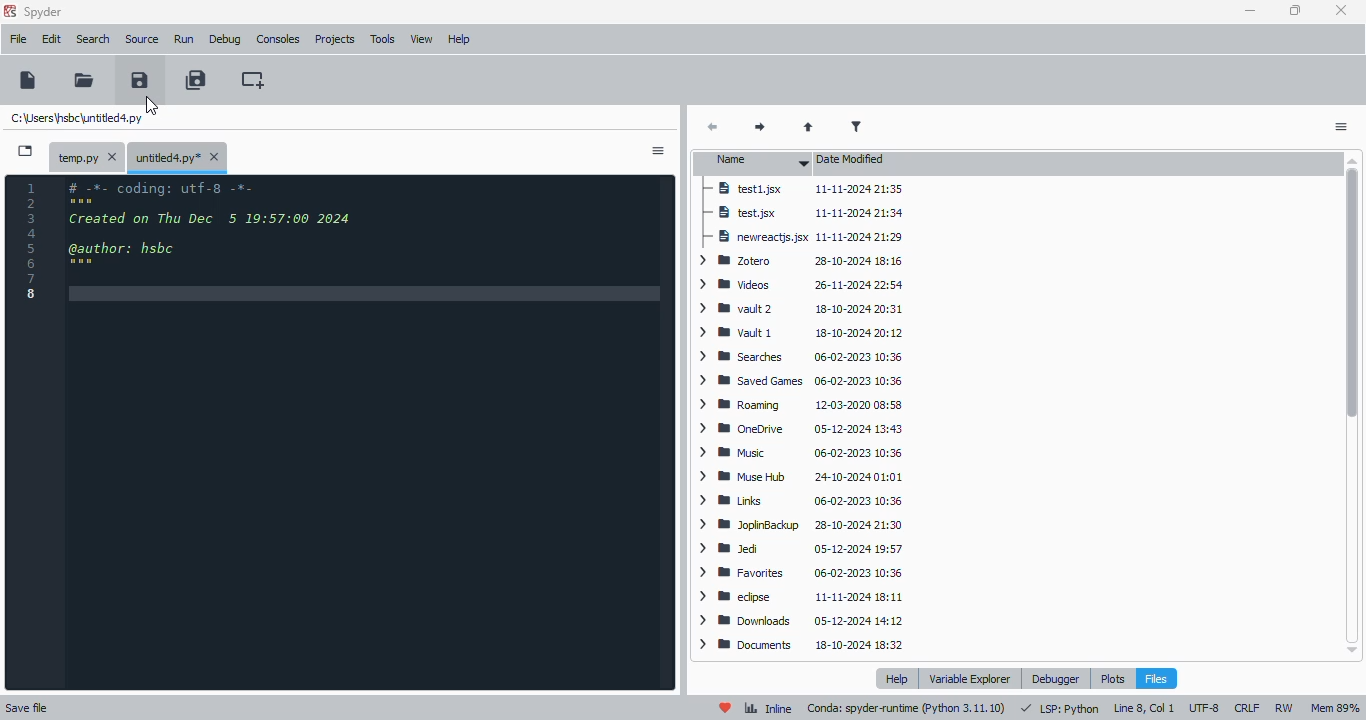 Image resolution: width=1366 pixels, height=720 pixels. I want to click on maximize, so click(1296, 10).